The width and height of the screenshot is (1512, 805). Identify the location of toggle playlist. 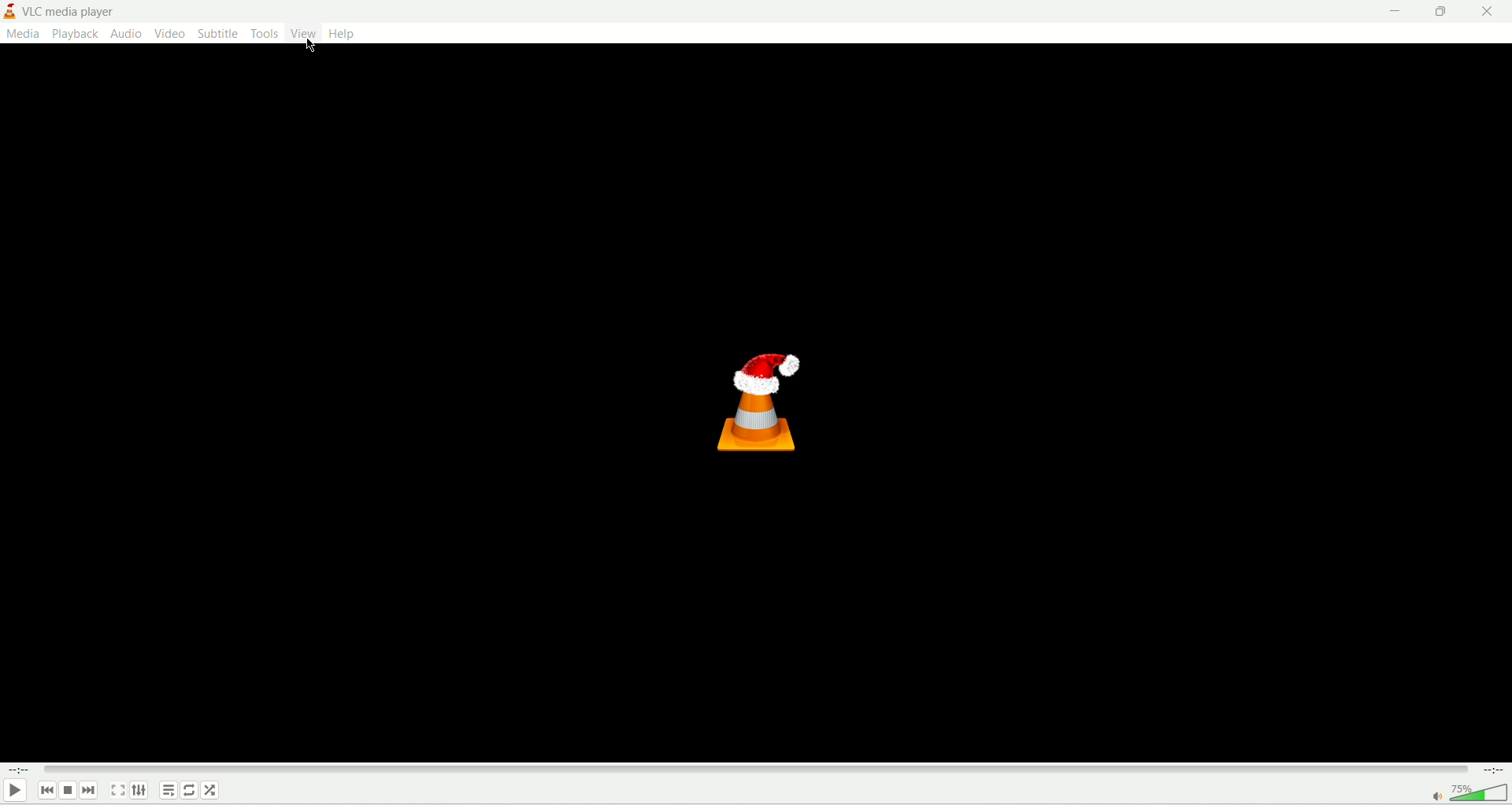
(169, 790).